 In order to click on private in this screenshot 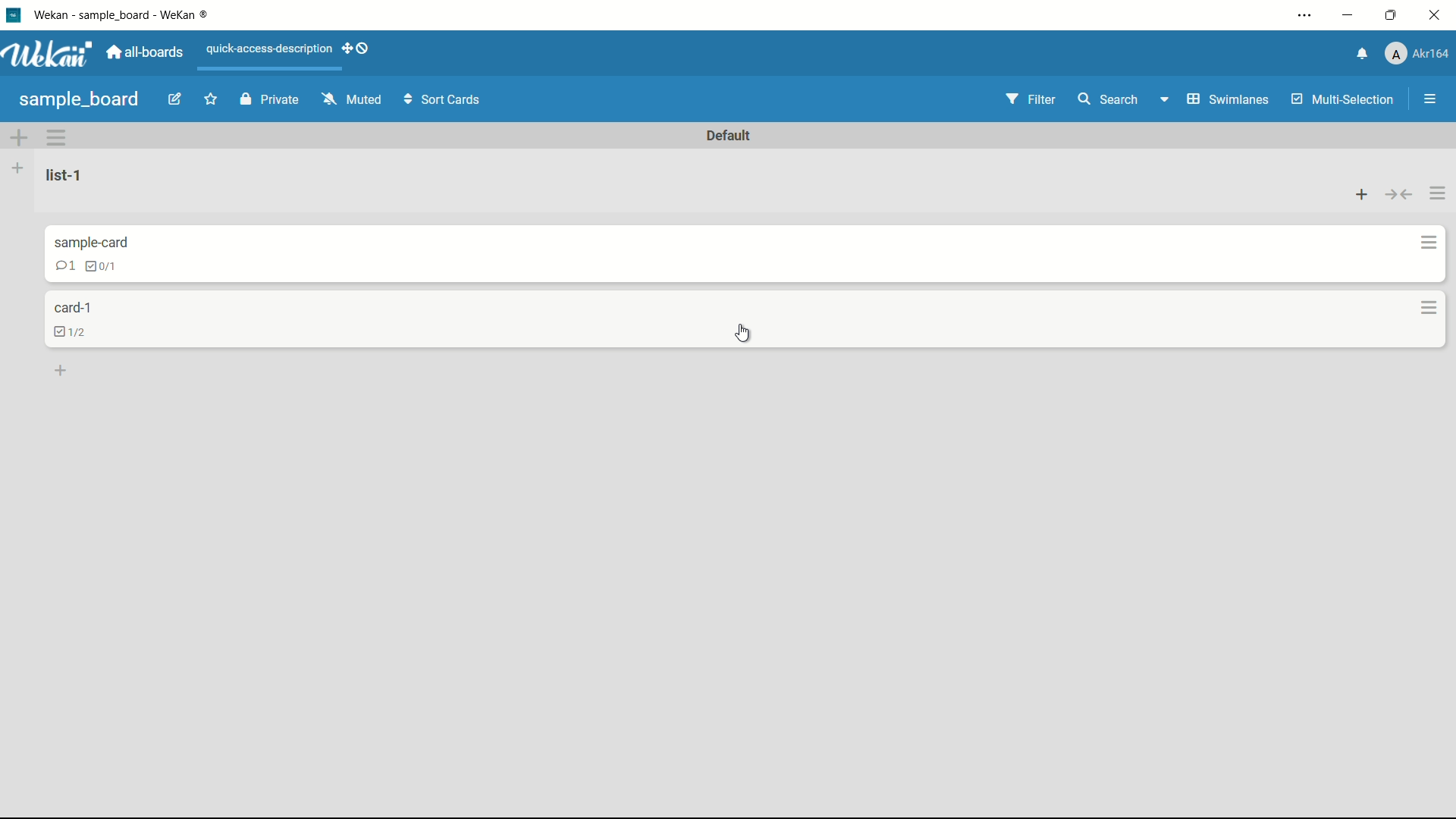, I will do `click(269, 99)`.